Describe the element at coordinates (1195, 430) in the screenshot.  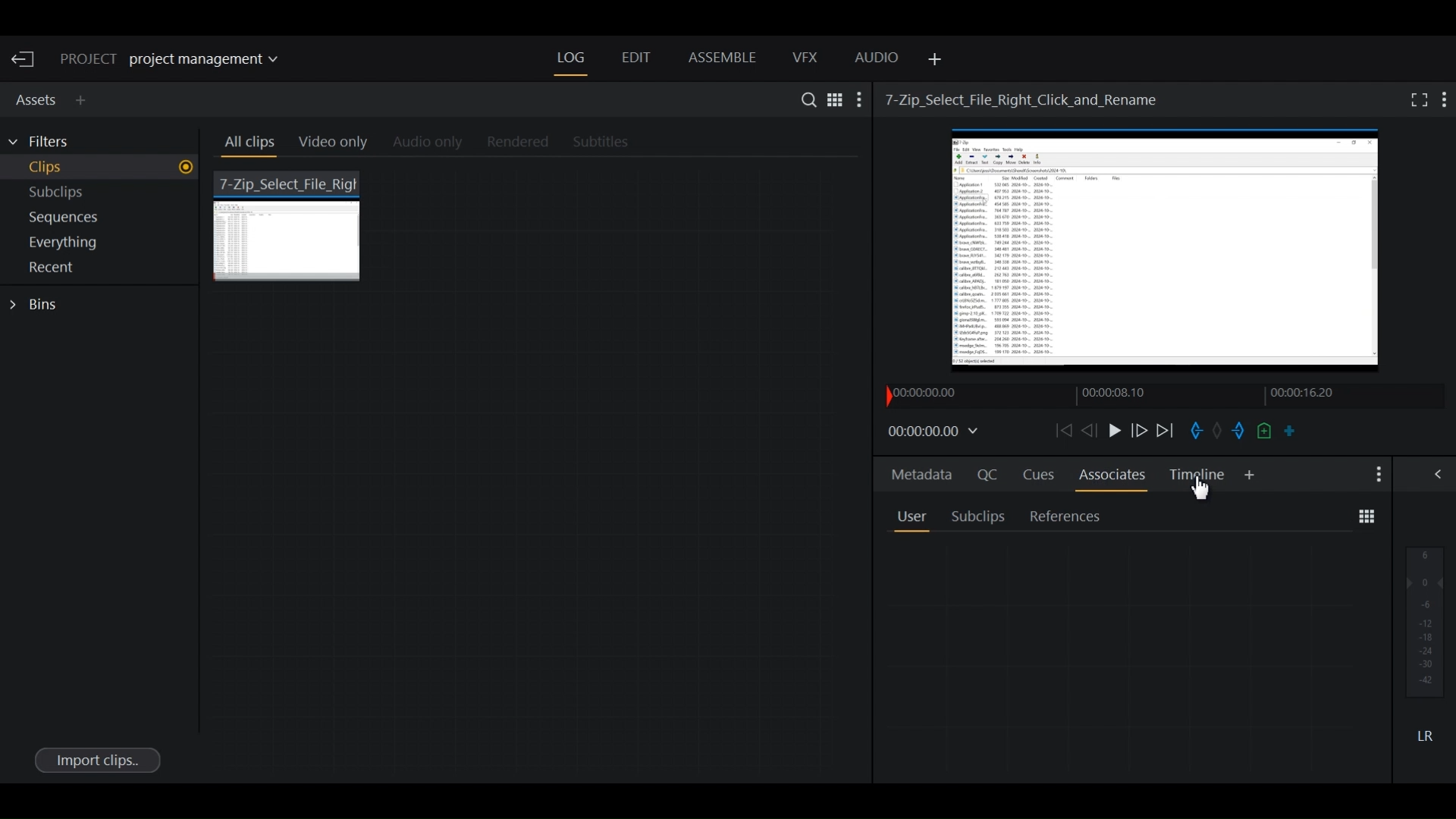
I see `Mark in` at that location.